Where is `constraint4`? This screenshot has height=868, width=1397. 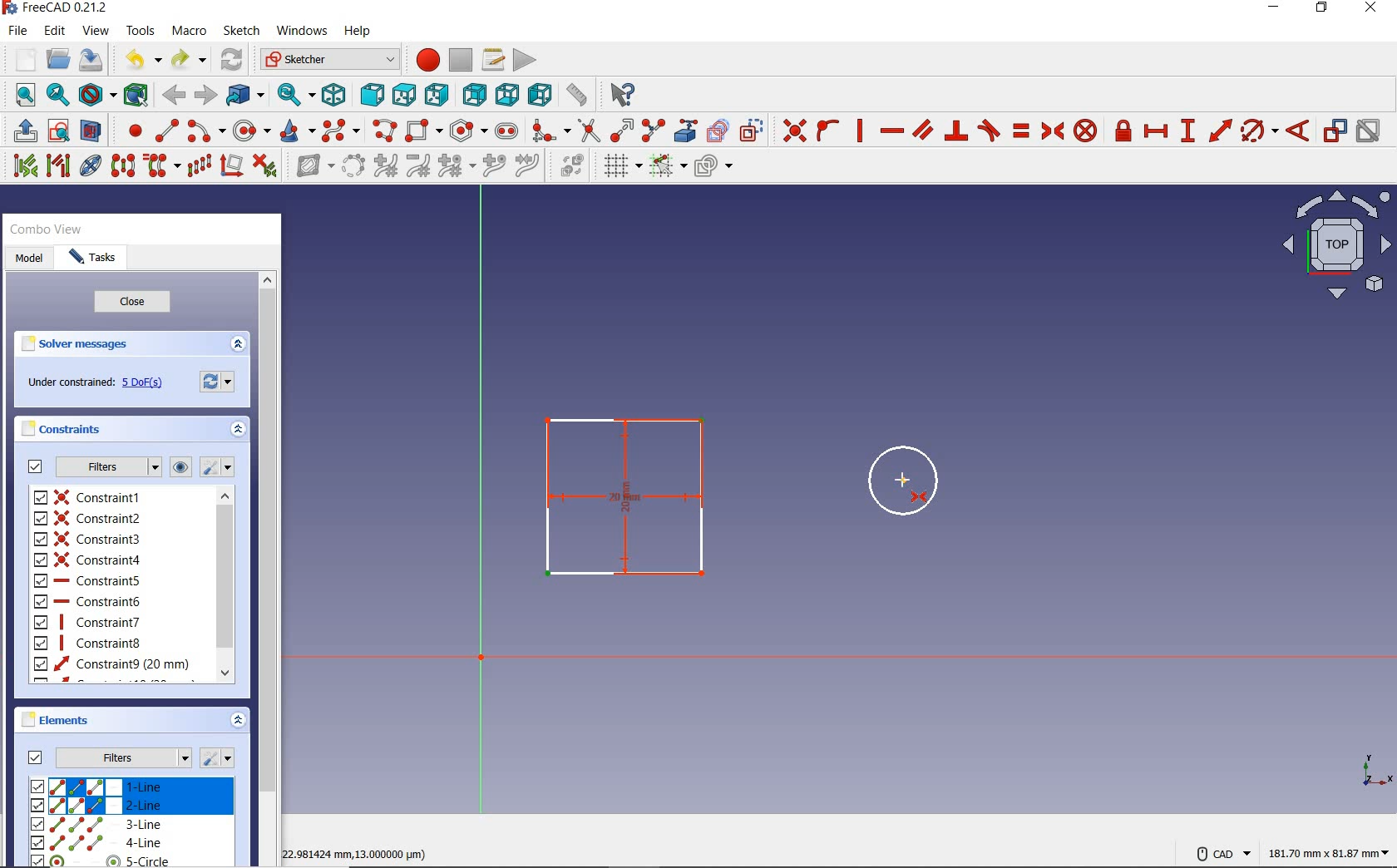 constraint4 is located at coordinates (89, 560).